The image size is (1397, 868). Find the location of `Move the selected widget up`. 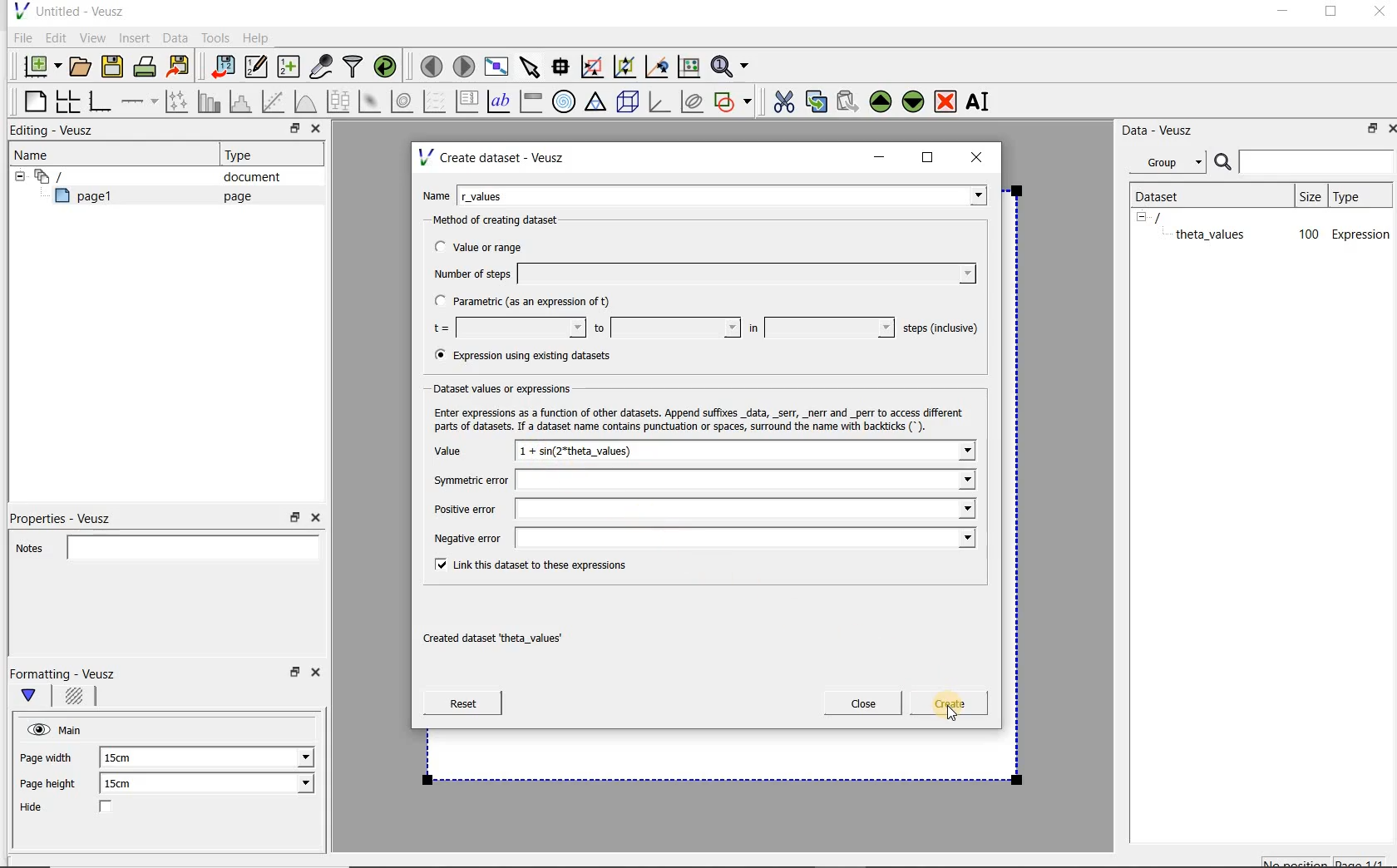

Move the selected widget up is located at coordinates (881, 101).